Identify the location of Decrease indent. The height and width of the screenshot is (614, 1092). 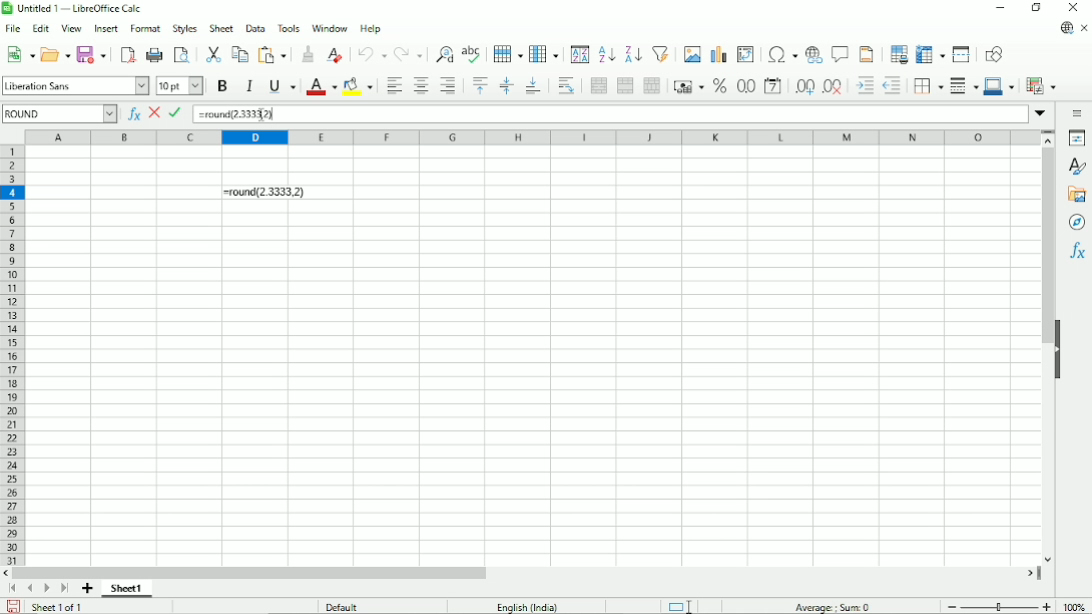
(893, 86).